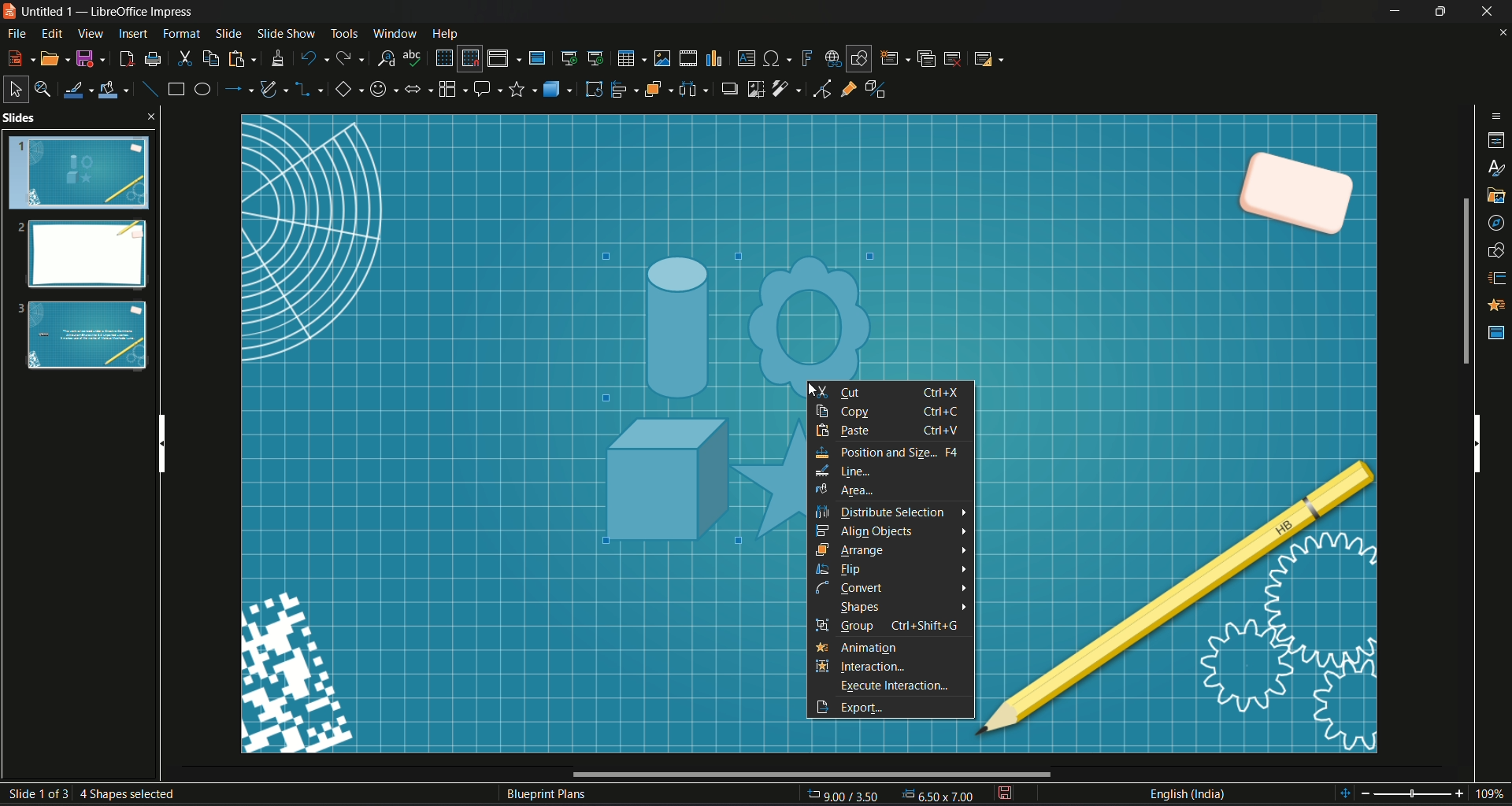 This screenshot has height=806, width=1512. What do you see at coordinates (832, 58) in the screenshot?
I see `insert hyperlink` at bounding box center [832, 58].